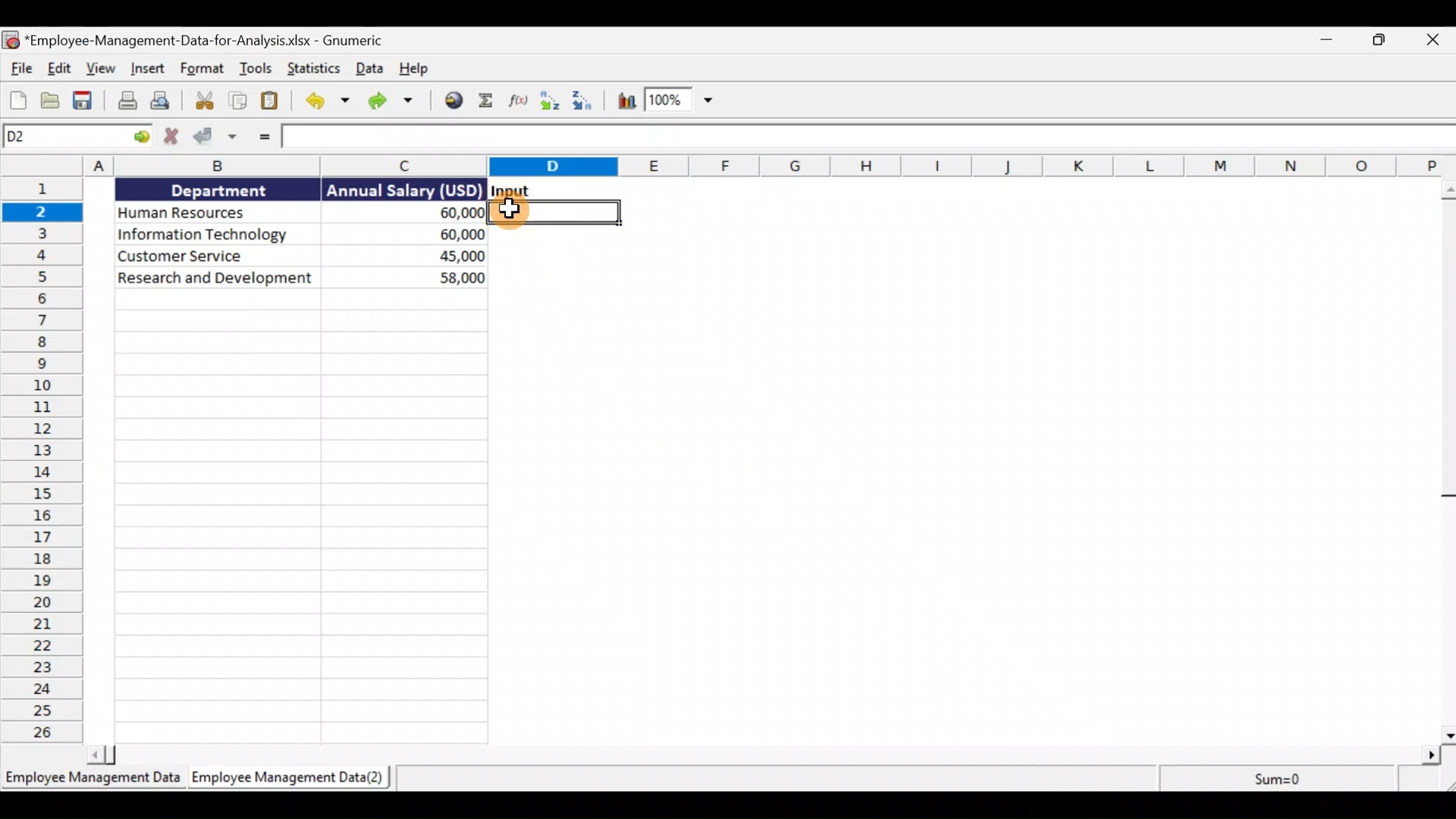 This screenshot has width=1456, height=819. I want to click on Save the current workbook, so click(84, 102).